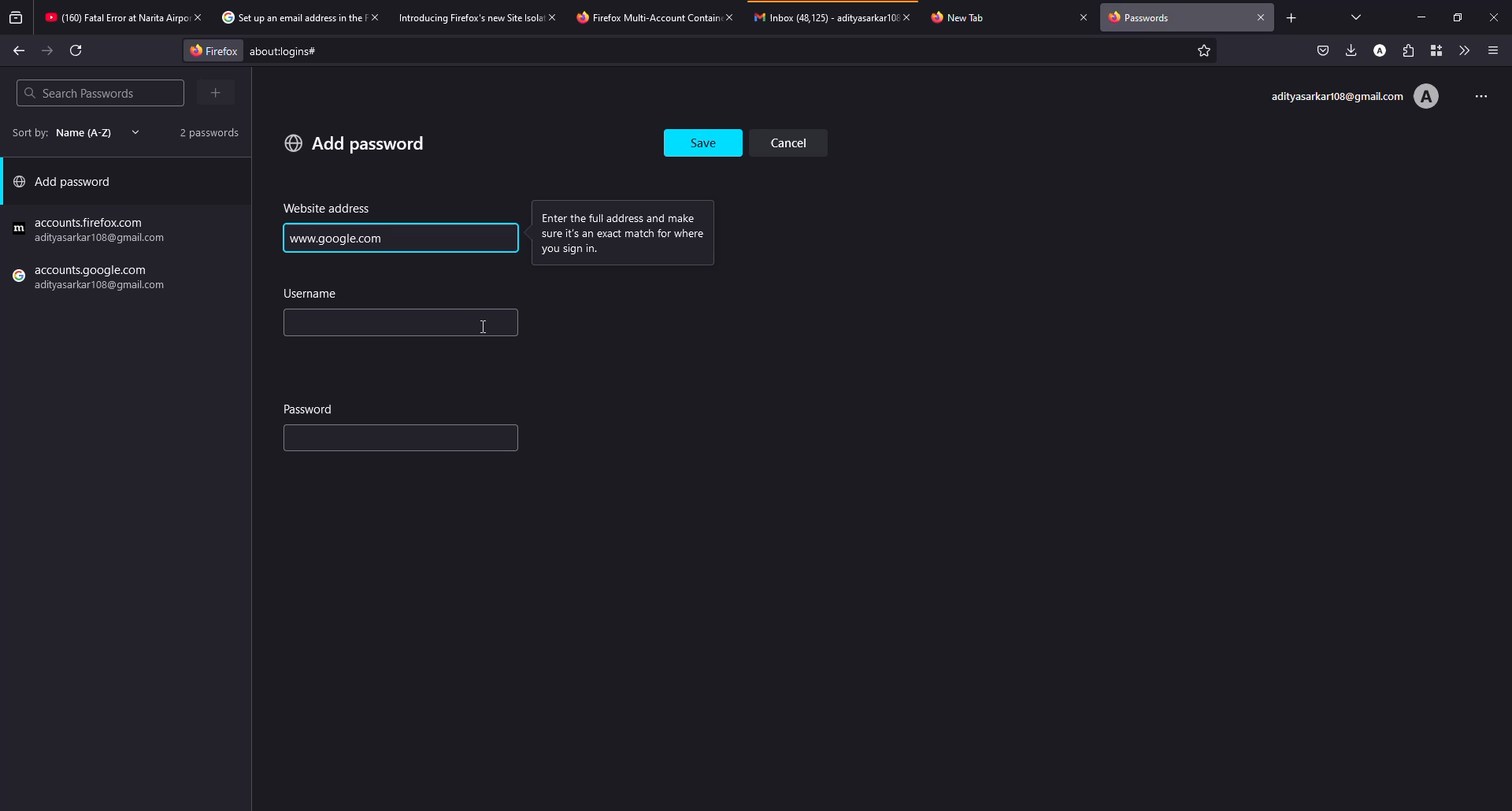 The image size is (1512, 811). Describe the element at coordinates (966, 17) in the screenshot. I see `tab` at that location.